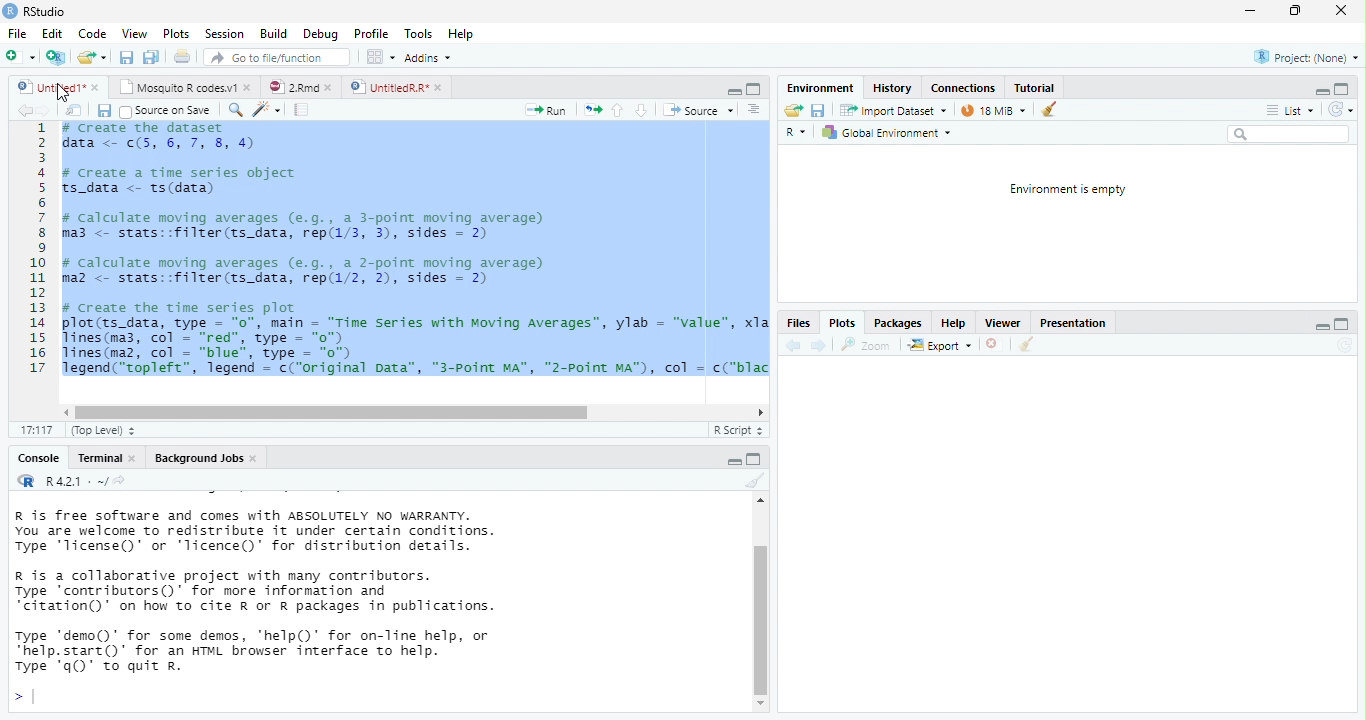 The image size is (1366, 720). What do you see at coordinates (24, 480) in the screenshot?
I see `R` at bounding box center [24, 480].